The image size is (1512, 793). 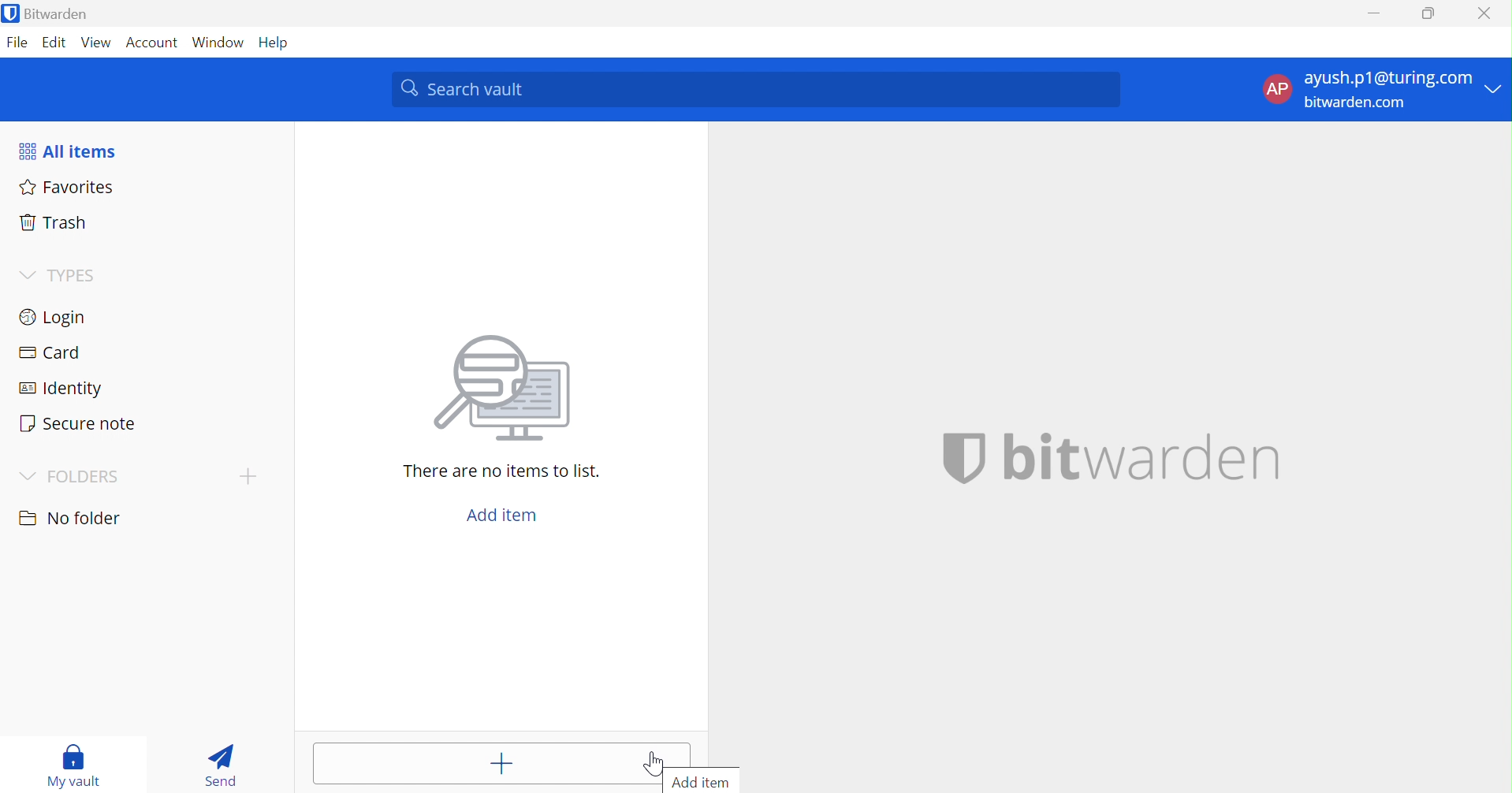 What do you see at coordinates (70, 518) in the screenshot?
I see `No folder` at bounding box center [70, 518].